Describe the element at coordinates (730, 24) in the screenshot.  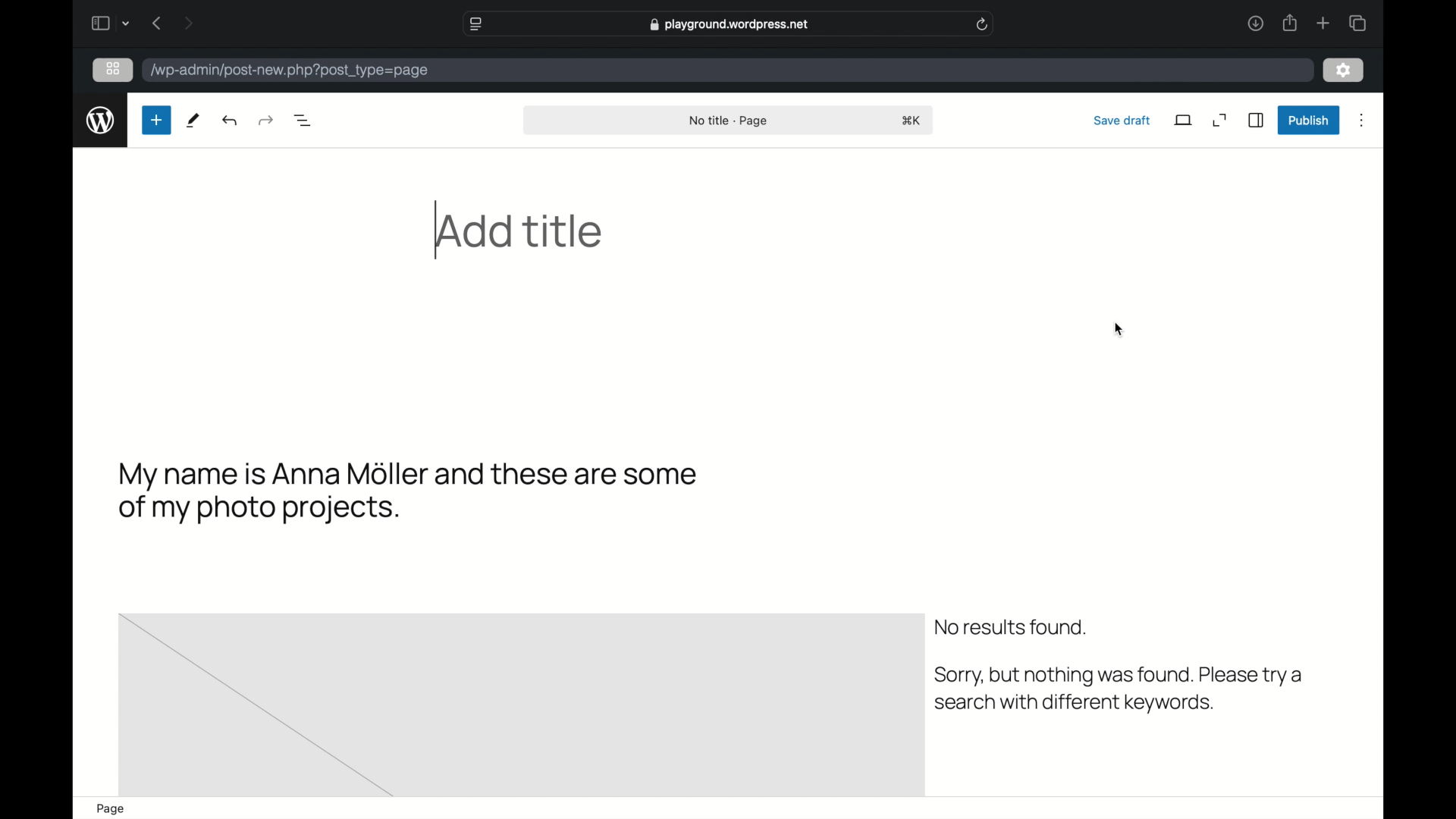
I see `web address` at that location.